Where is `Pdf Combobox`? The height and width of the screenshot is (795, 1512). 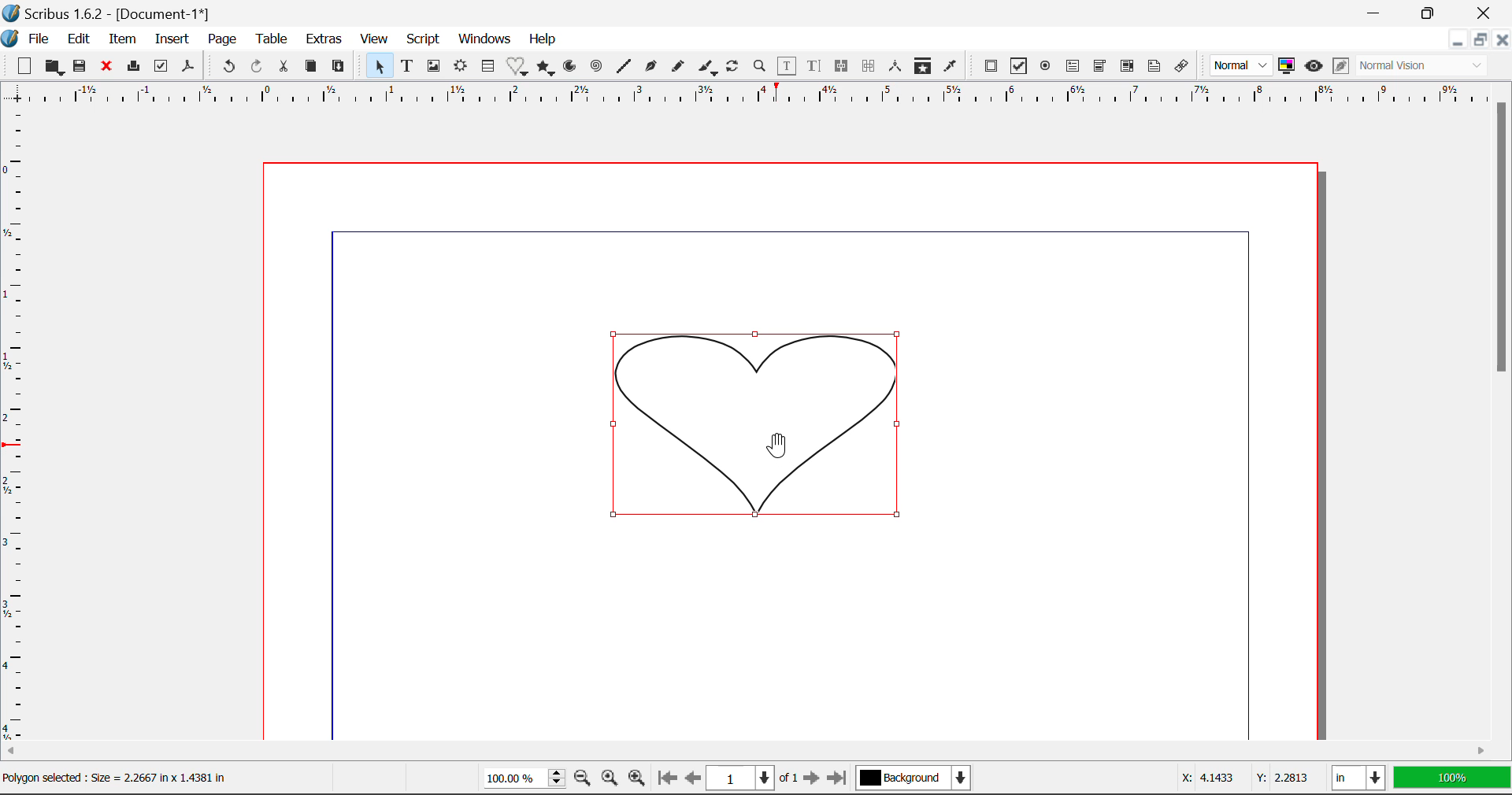
Pdf Combobox is located at coordinates (1101, 68).